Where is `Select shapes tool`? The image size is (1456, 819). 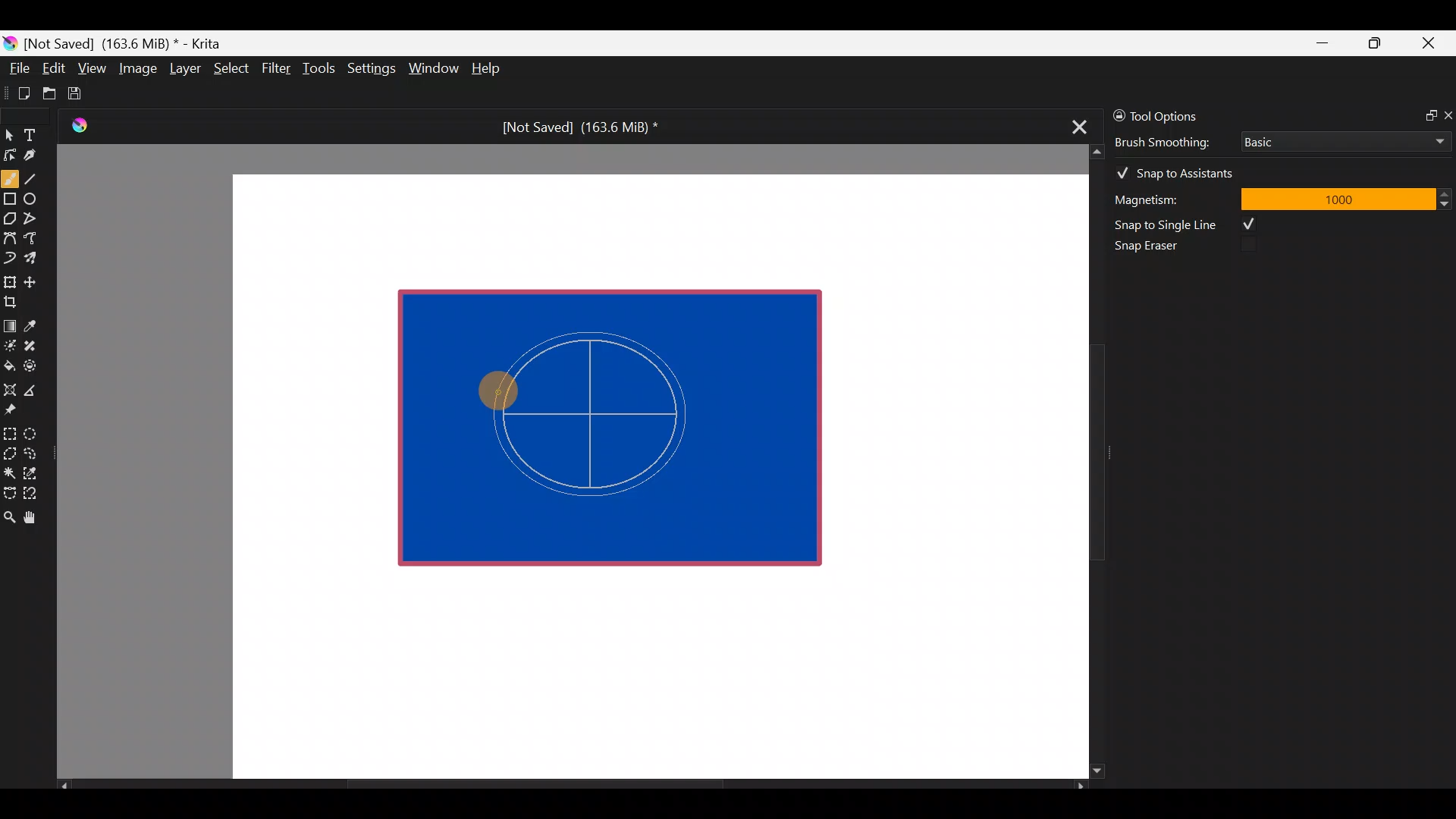 Select shapes tool is located at coordinates (9, 136).